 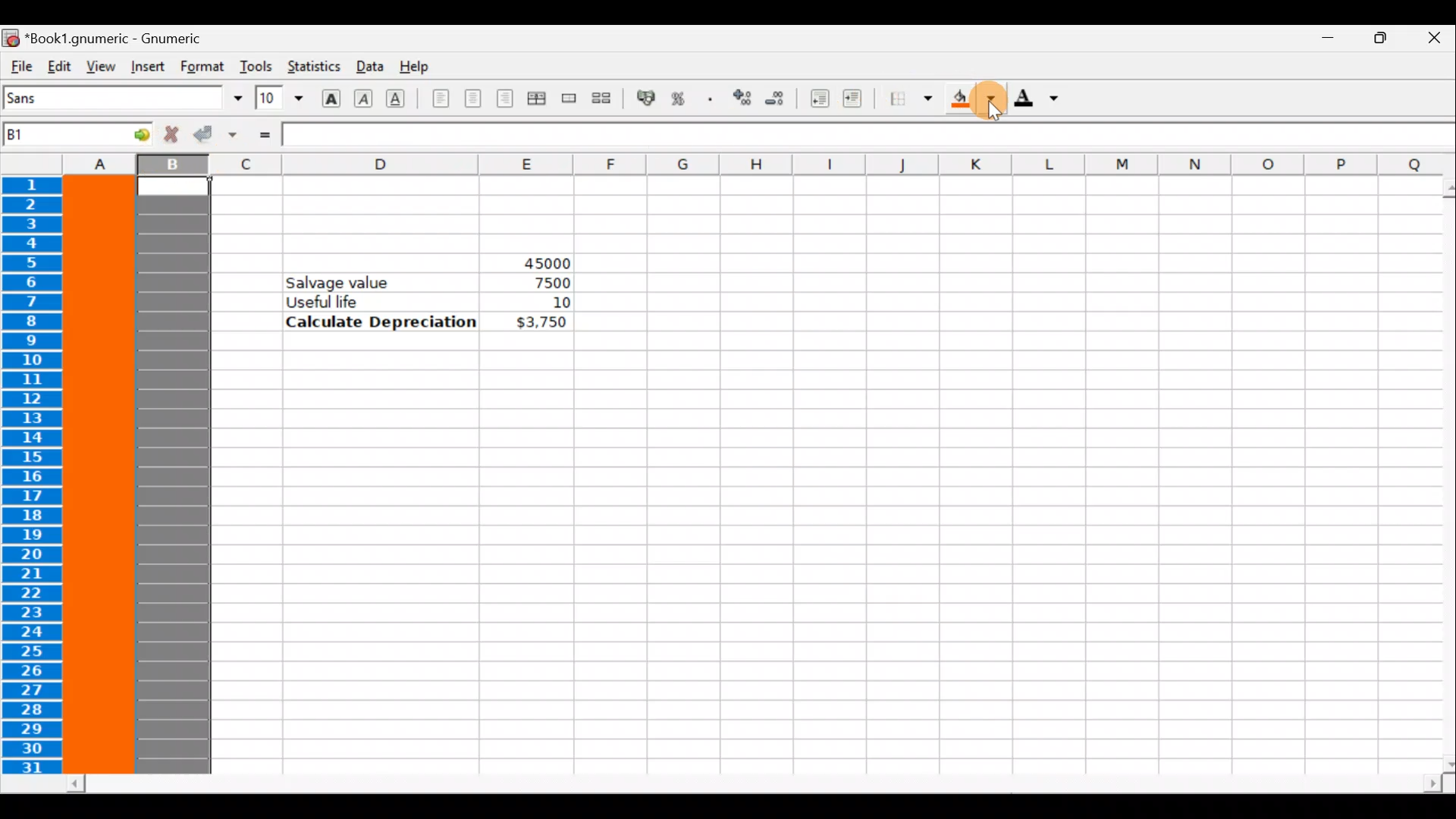 What do you see at coordinates (59, 65) in the screenshot?
I see `Edit` at bounding box center [59, 65].